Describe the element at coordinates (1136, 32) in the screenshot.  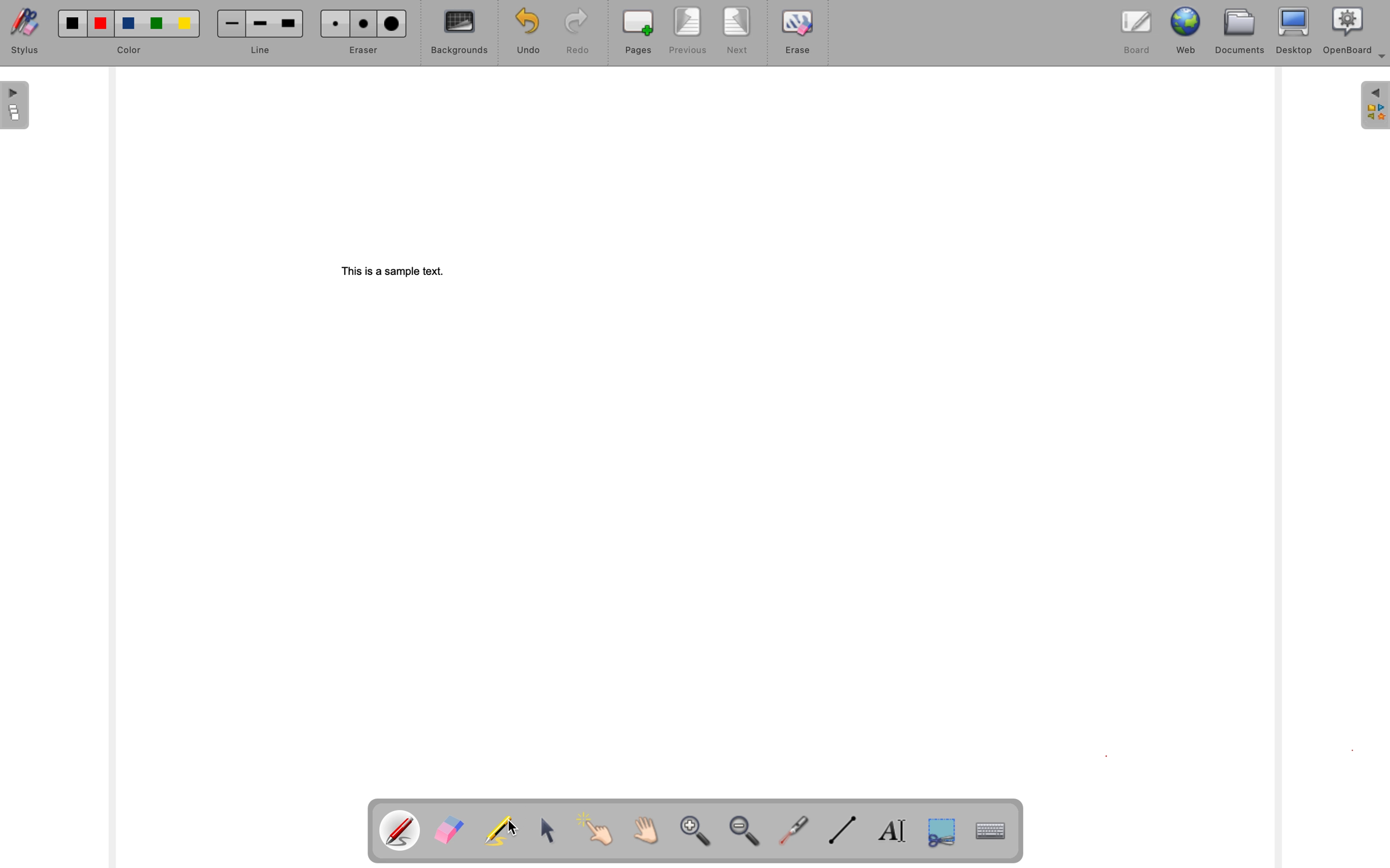
I see `board` at that location.